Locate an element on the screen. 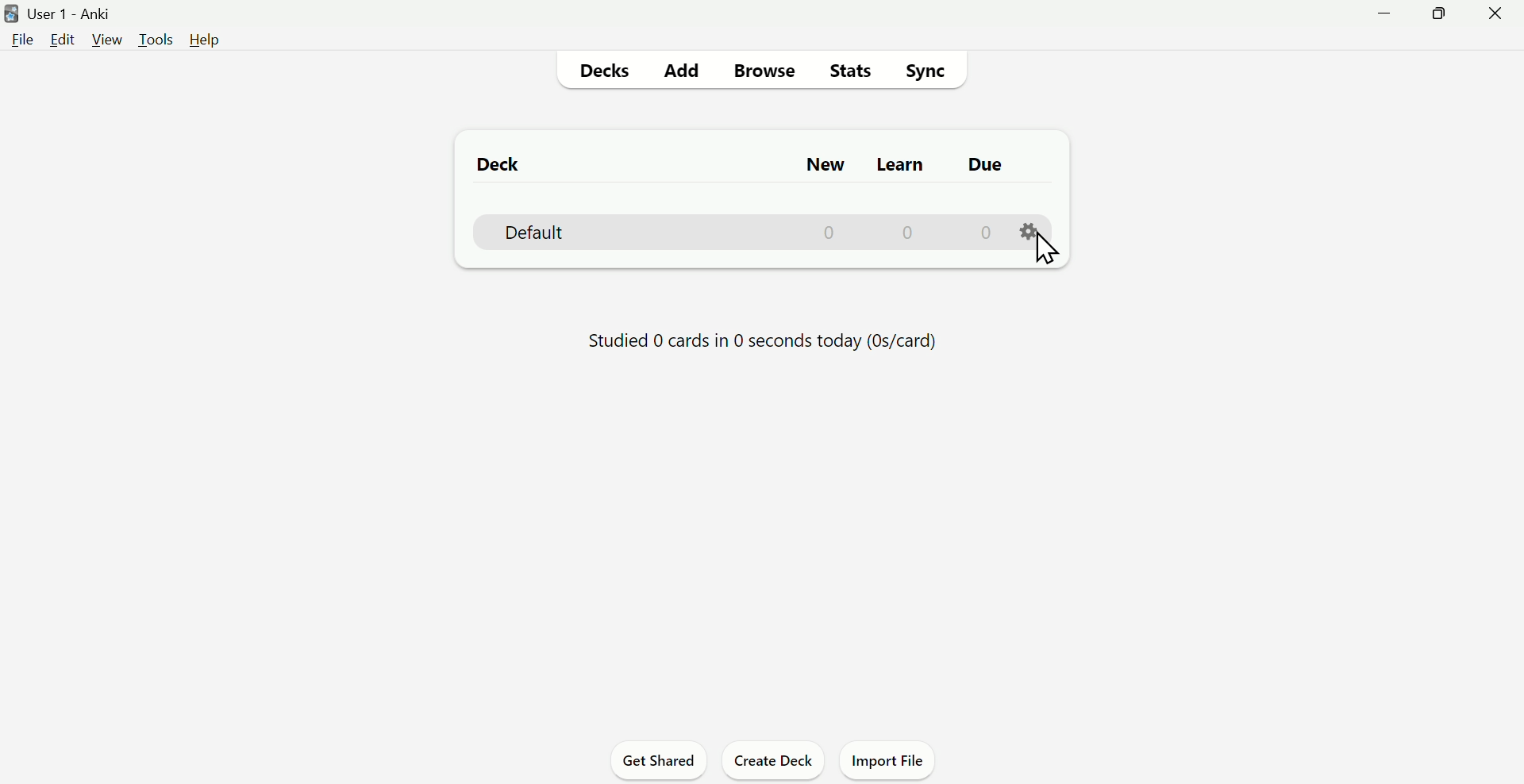  Decks is located at coordinates (601, 73).